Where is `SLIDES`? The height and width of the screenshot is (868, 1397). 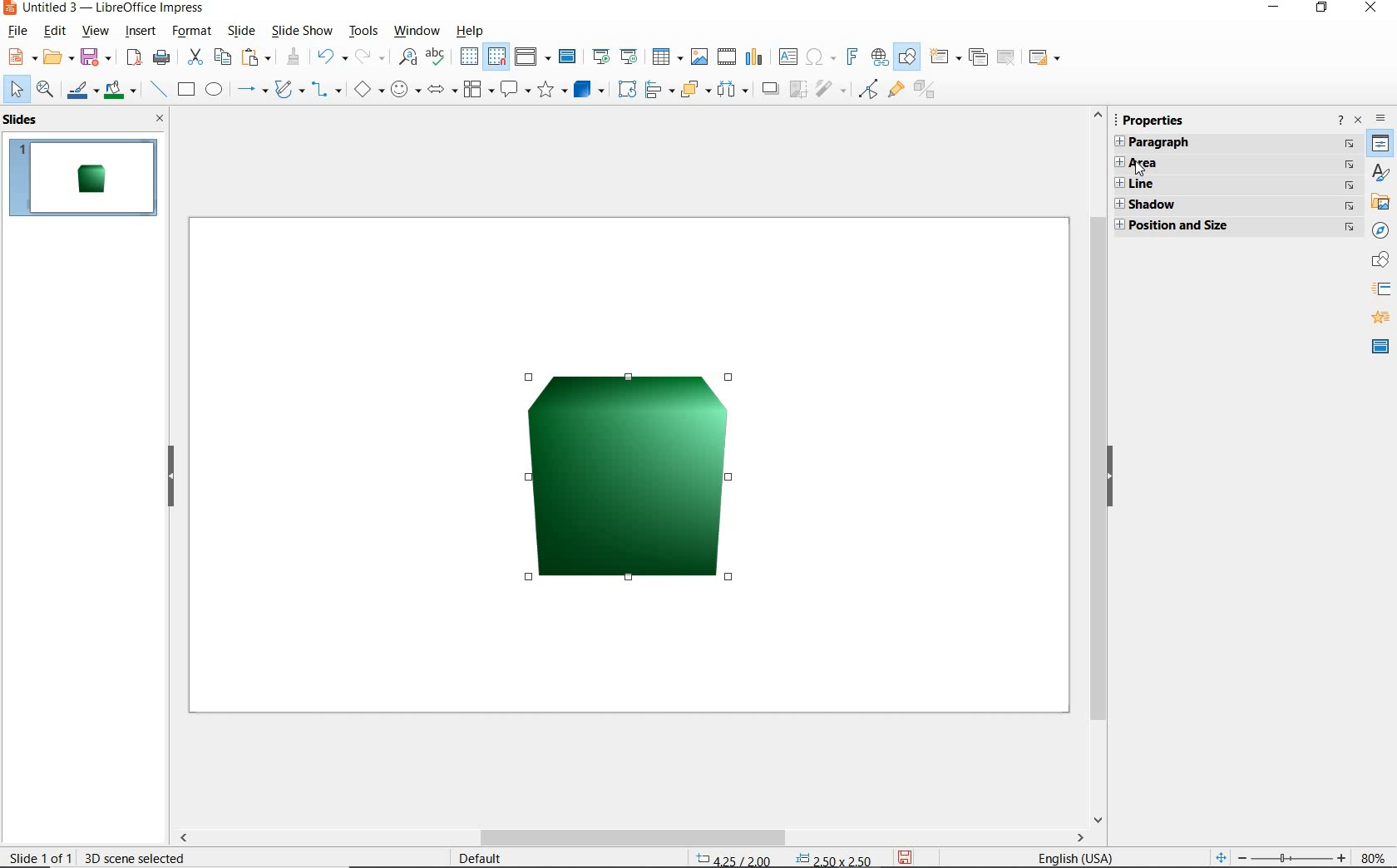
SLIDES is located at coordinates (26, 121).